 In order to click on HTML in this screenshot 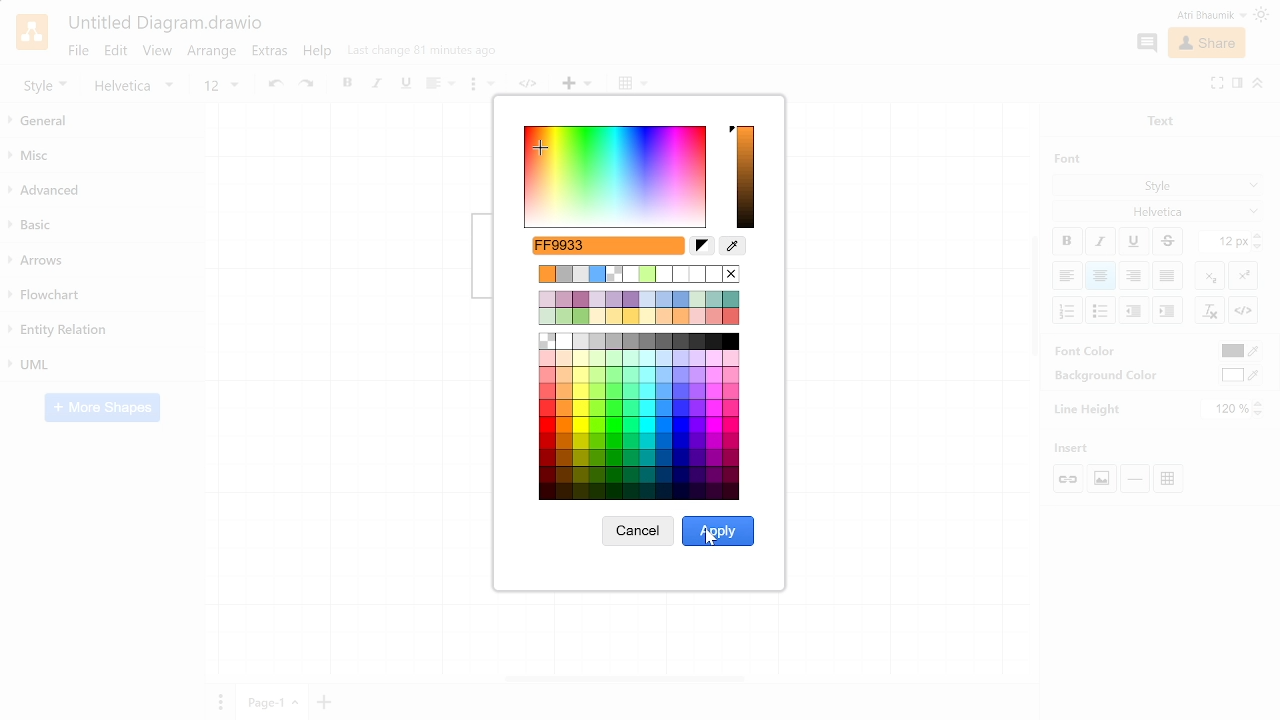, I will do `click(1243, 310)`.